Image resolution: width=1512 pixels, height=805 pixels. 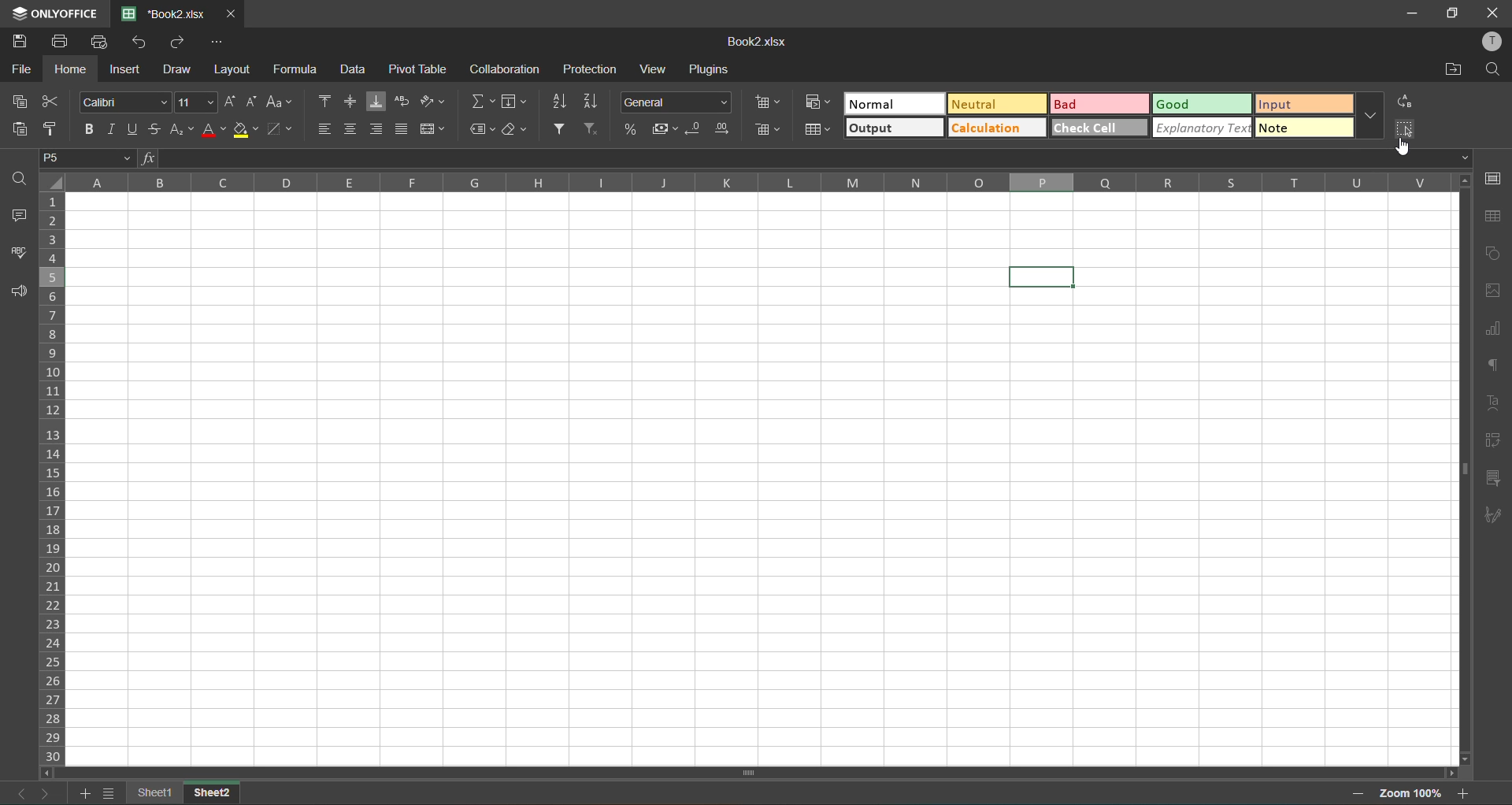 I want to click on borders, so click(x=284, y=131).